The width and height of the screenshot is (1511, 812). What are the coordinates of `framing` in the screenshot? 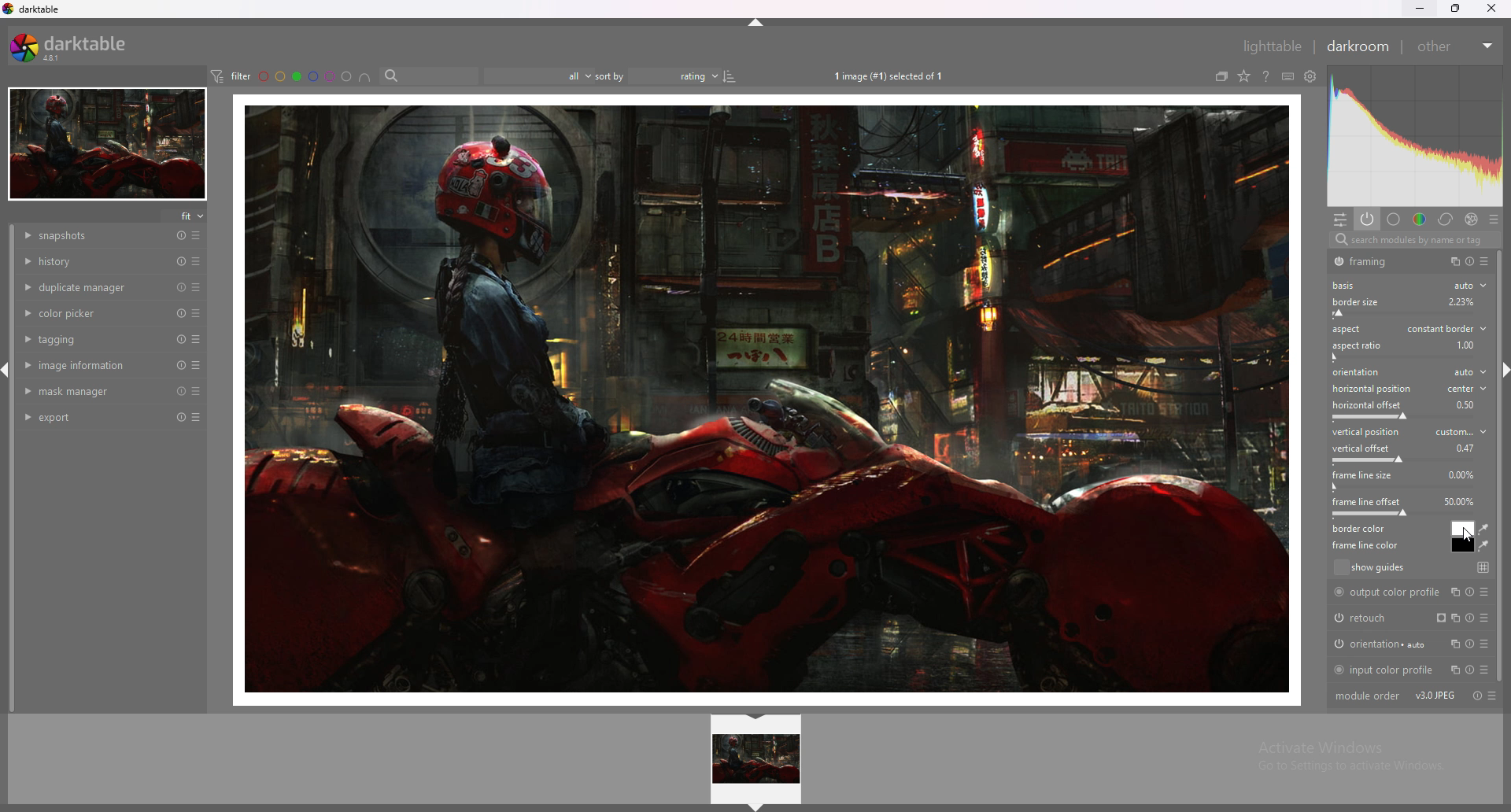 It's located at (1372, 261).